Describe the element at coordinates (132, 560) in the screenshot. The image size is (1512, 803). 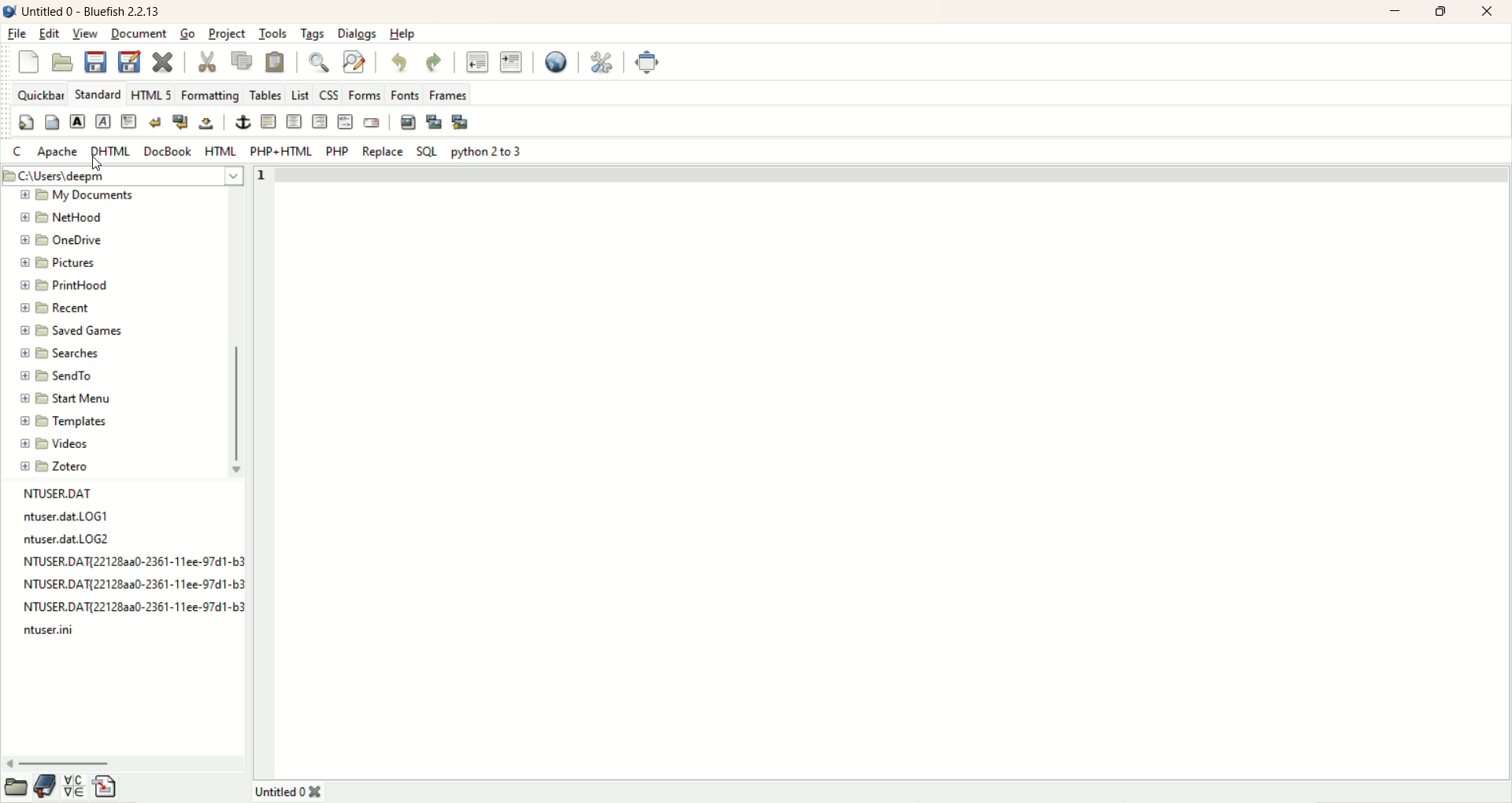
I see `file` at that location.